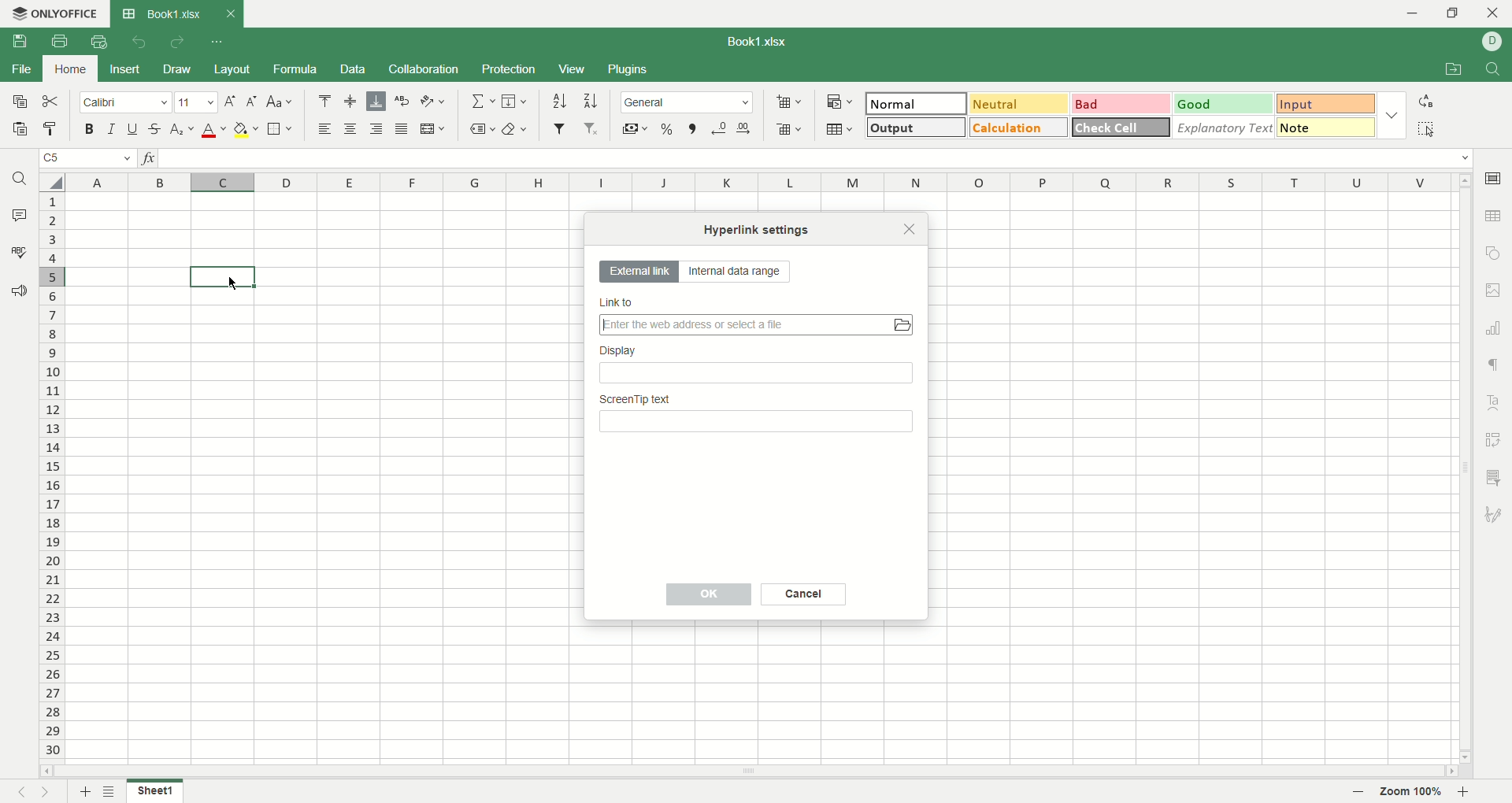  I want to click on previous sheet, so click(15, 794).